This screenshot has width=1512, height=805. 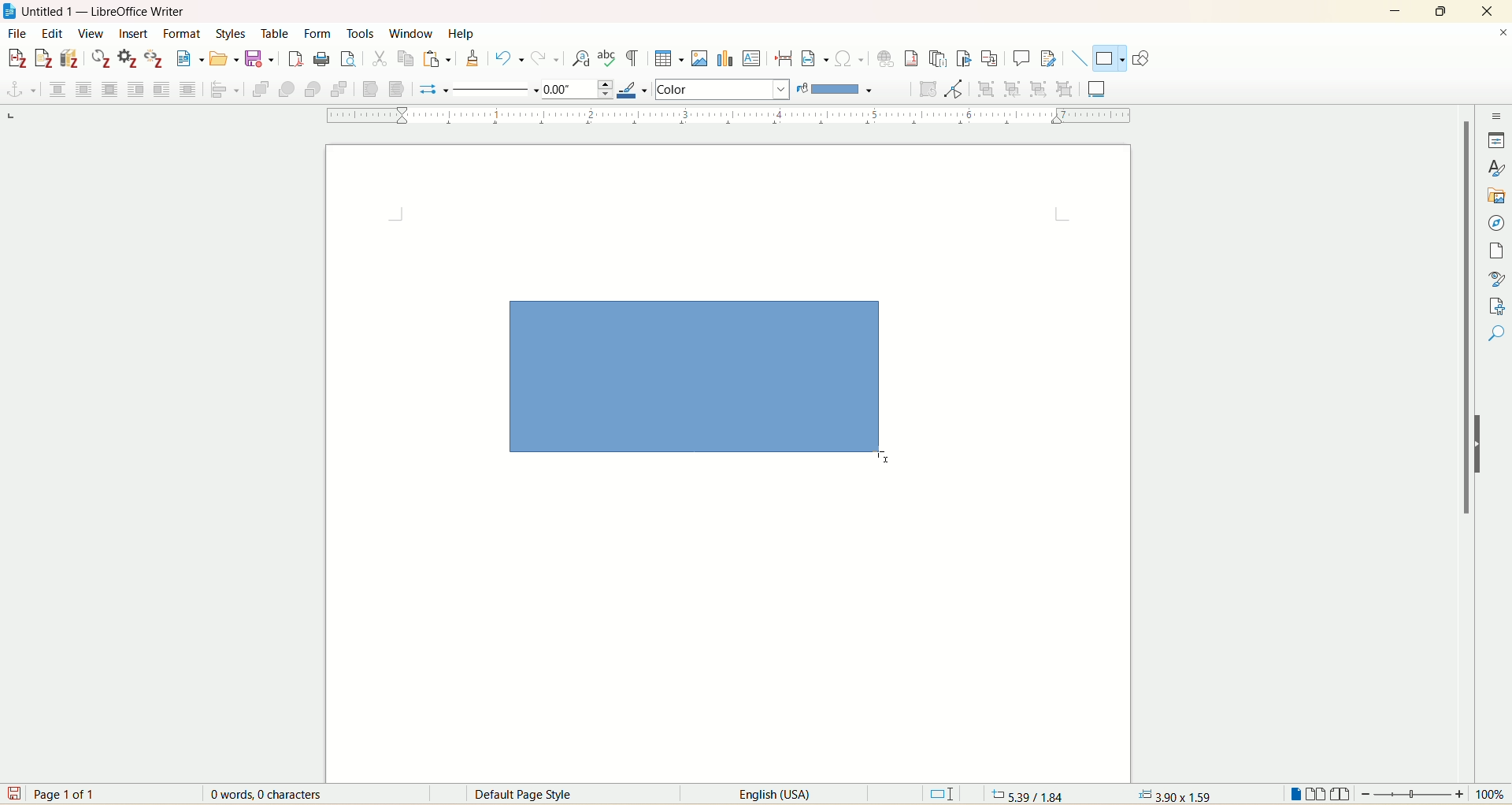 I want to click on document name, so click(x=112, y=12).